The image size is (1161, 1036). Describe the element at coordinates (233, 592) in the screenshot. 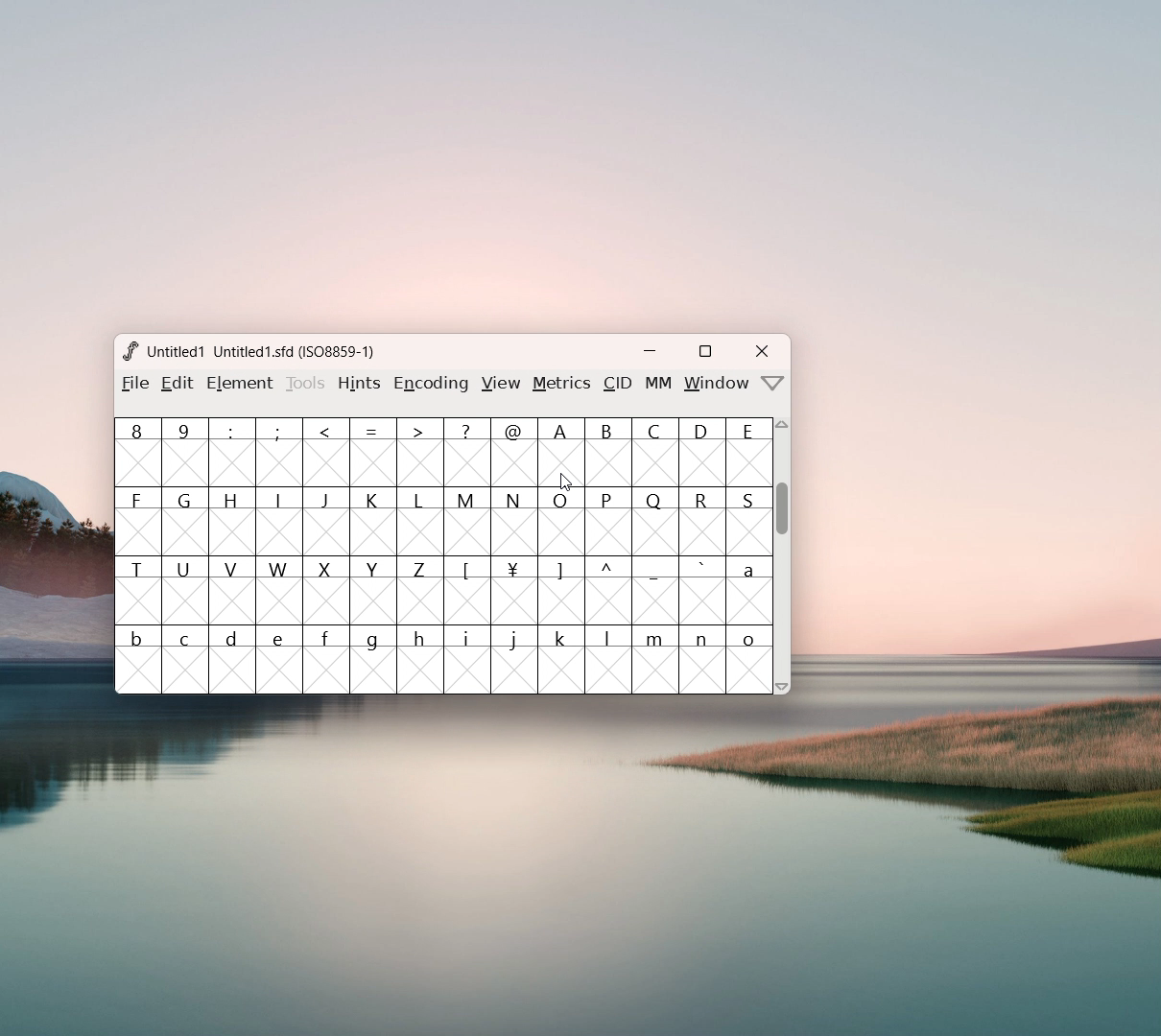

I see `V` at that location.